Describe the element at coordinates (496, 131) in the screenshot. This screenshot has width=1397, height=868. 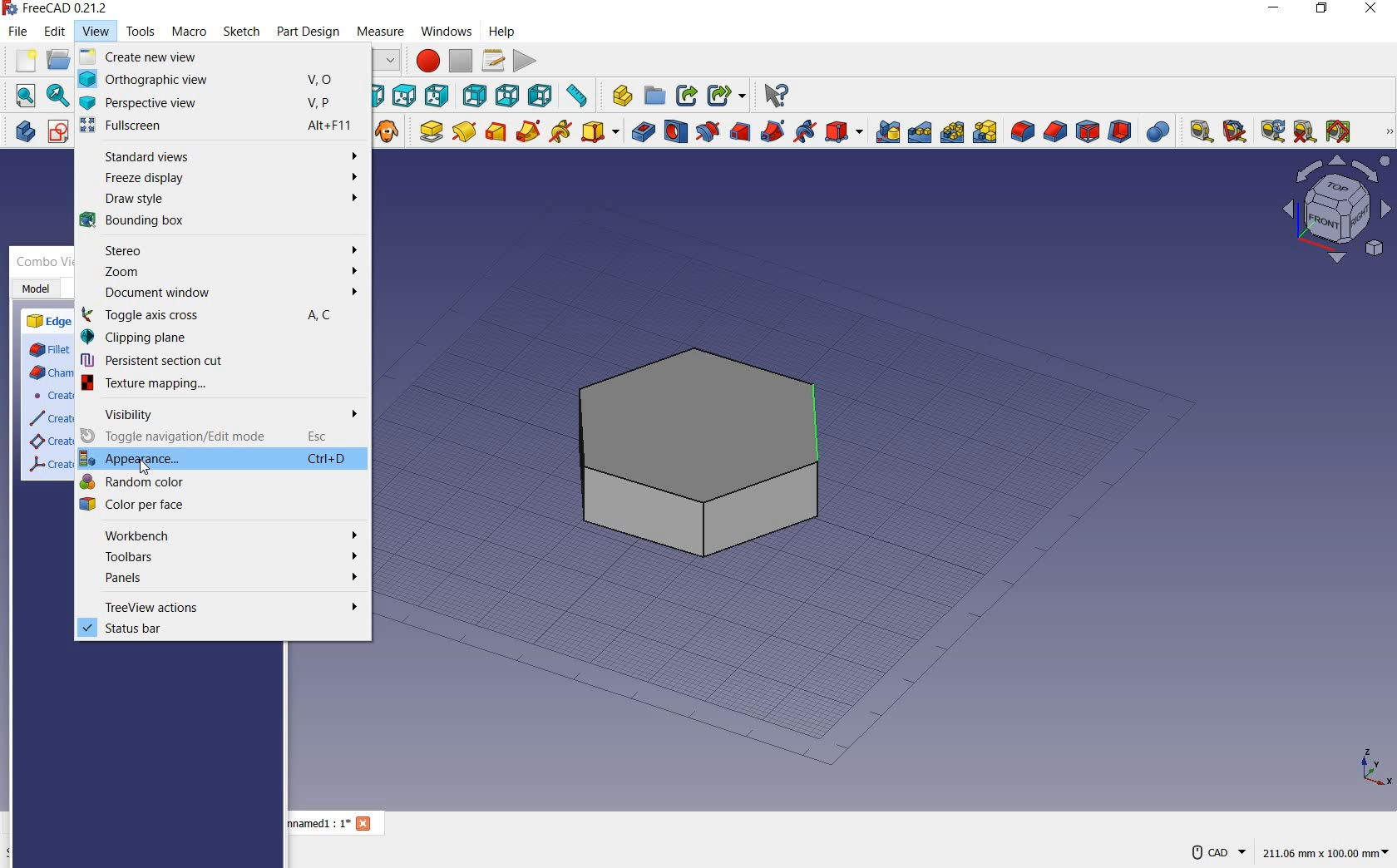
I see `additive loft` at that location.